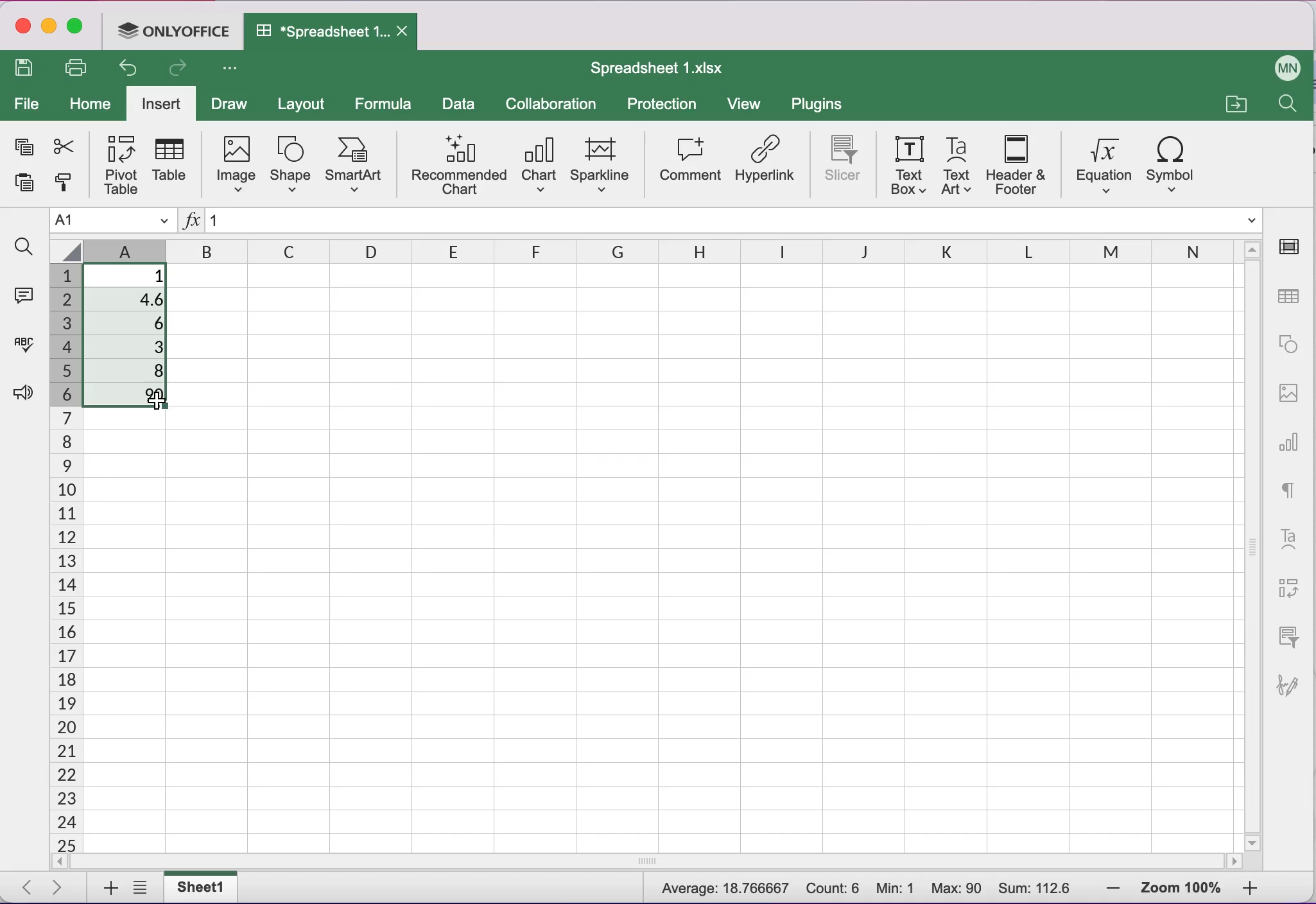 The image size is (1316, 904). Describe the element at coordinates (134, 346) in the screenshot. I see `3` at that location.